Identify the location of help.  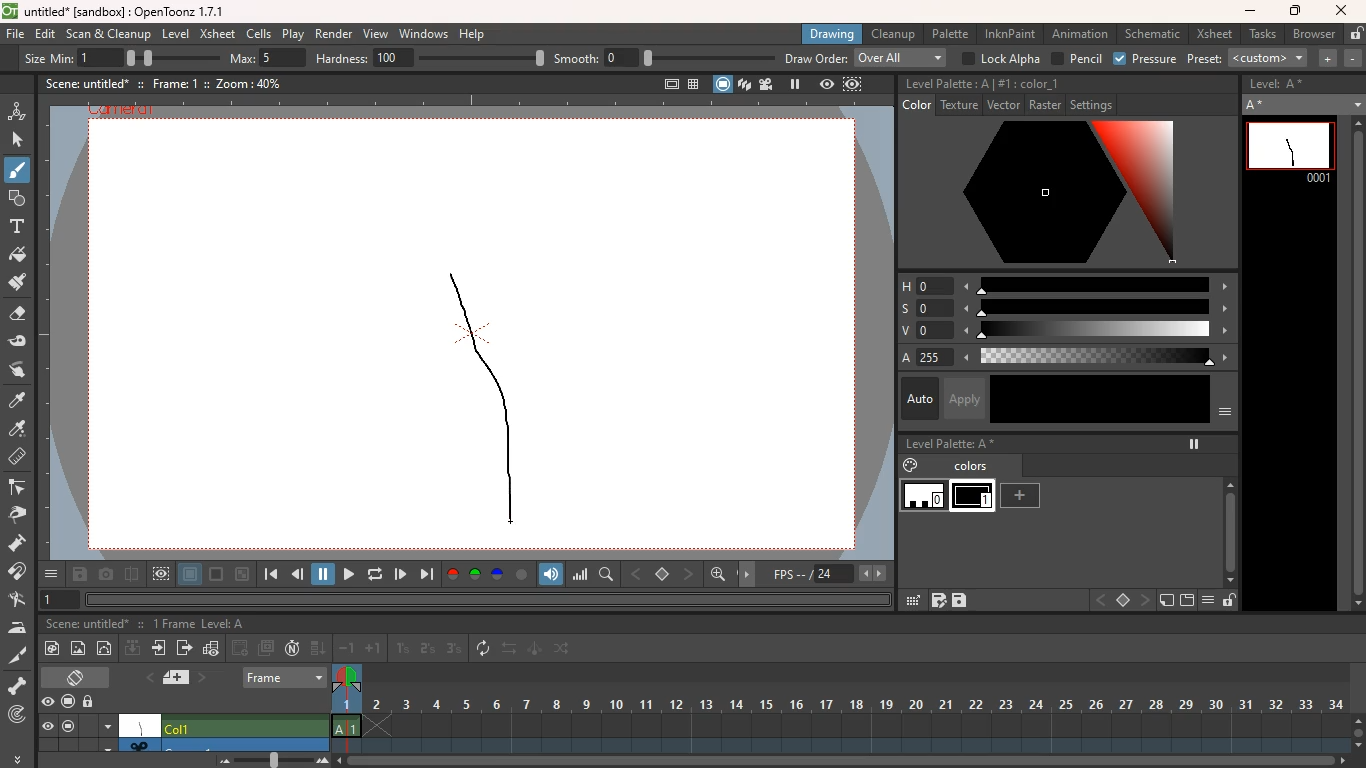
(474, 35).